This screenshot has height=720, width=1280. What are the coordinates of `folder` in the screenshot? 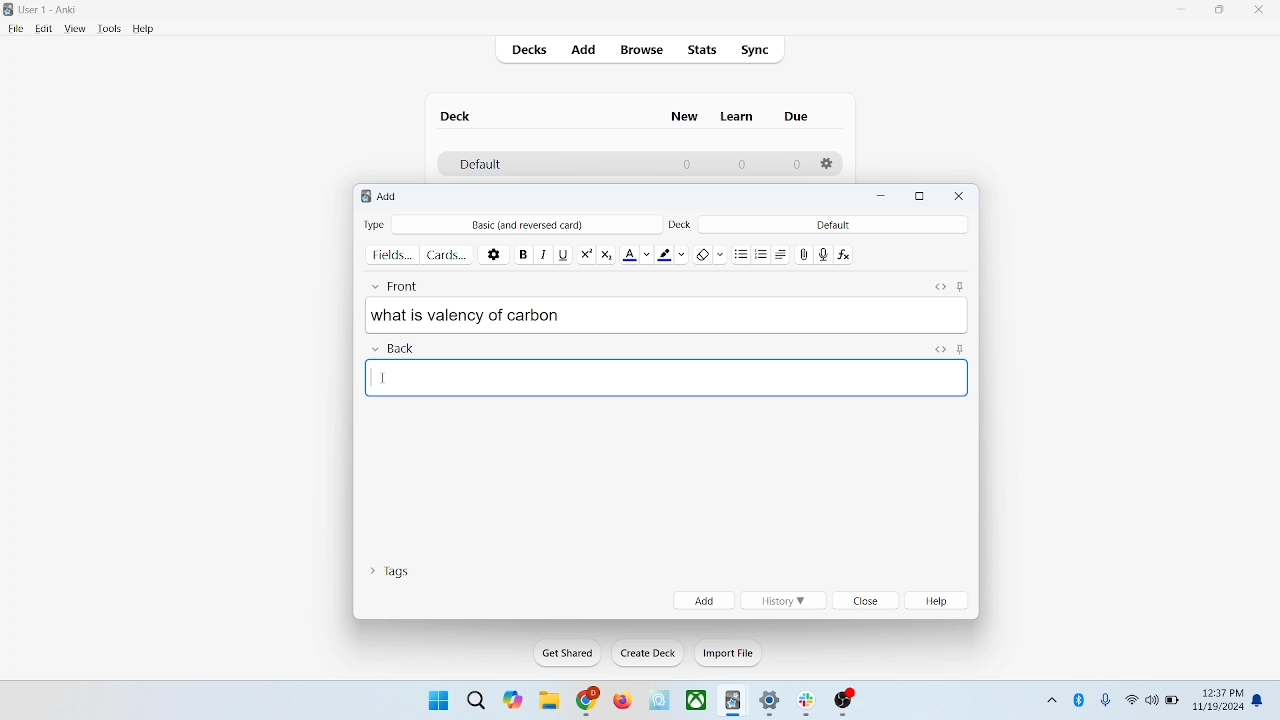 It's located at (548, 702).